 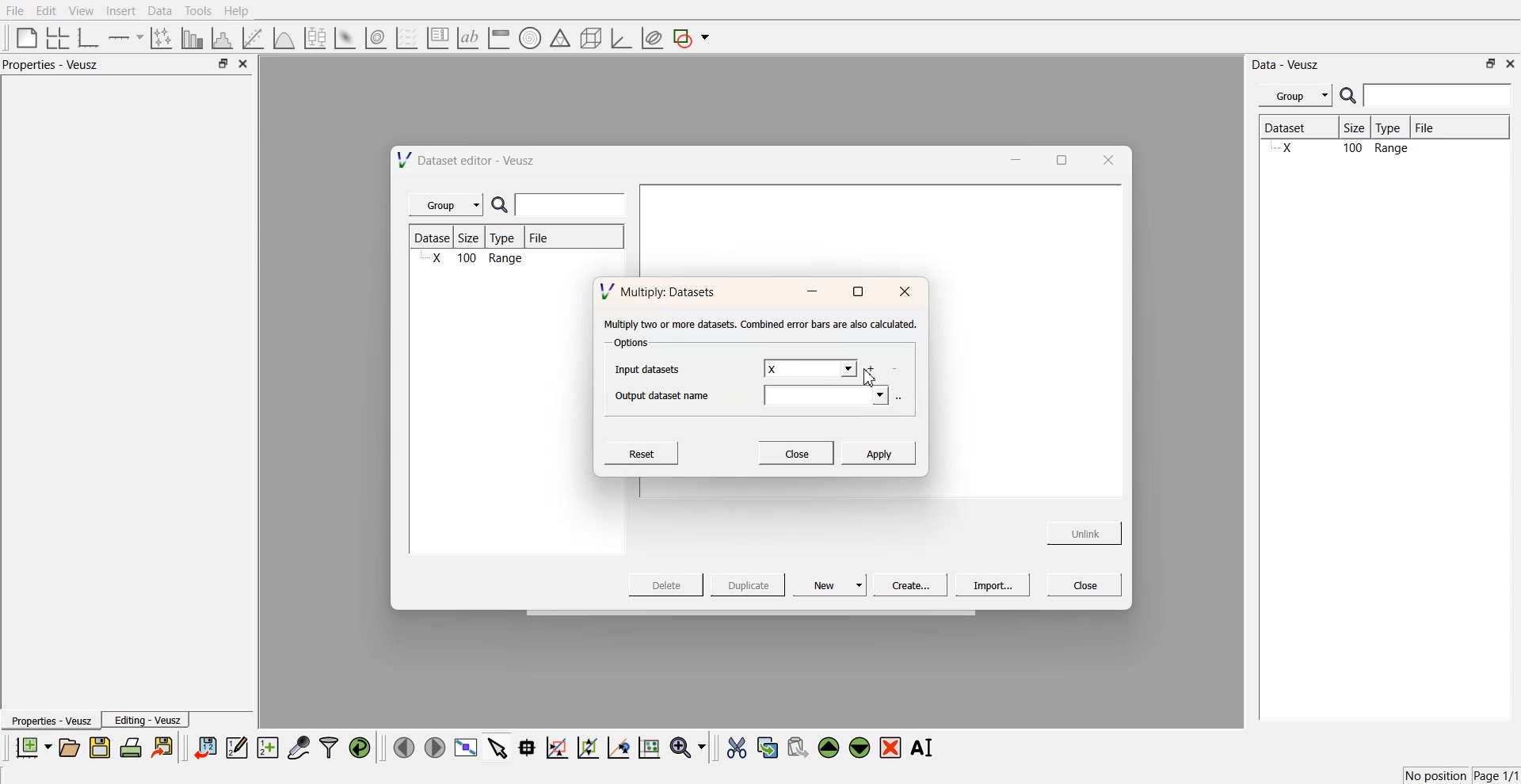 What do you see at coordinates (192, 39) in the screenshot?
I see `plot bar chart` at bounding box center [192, 39].